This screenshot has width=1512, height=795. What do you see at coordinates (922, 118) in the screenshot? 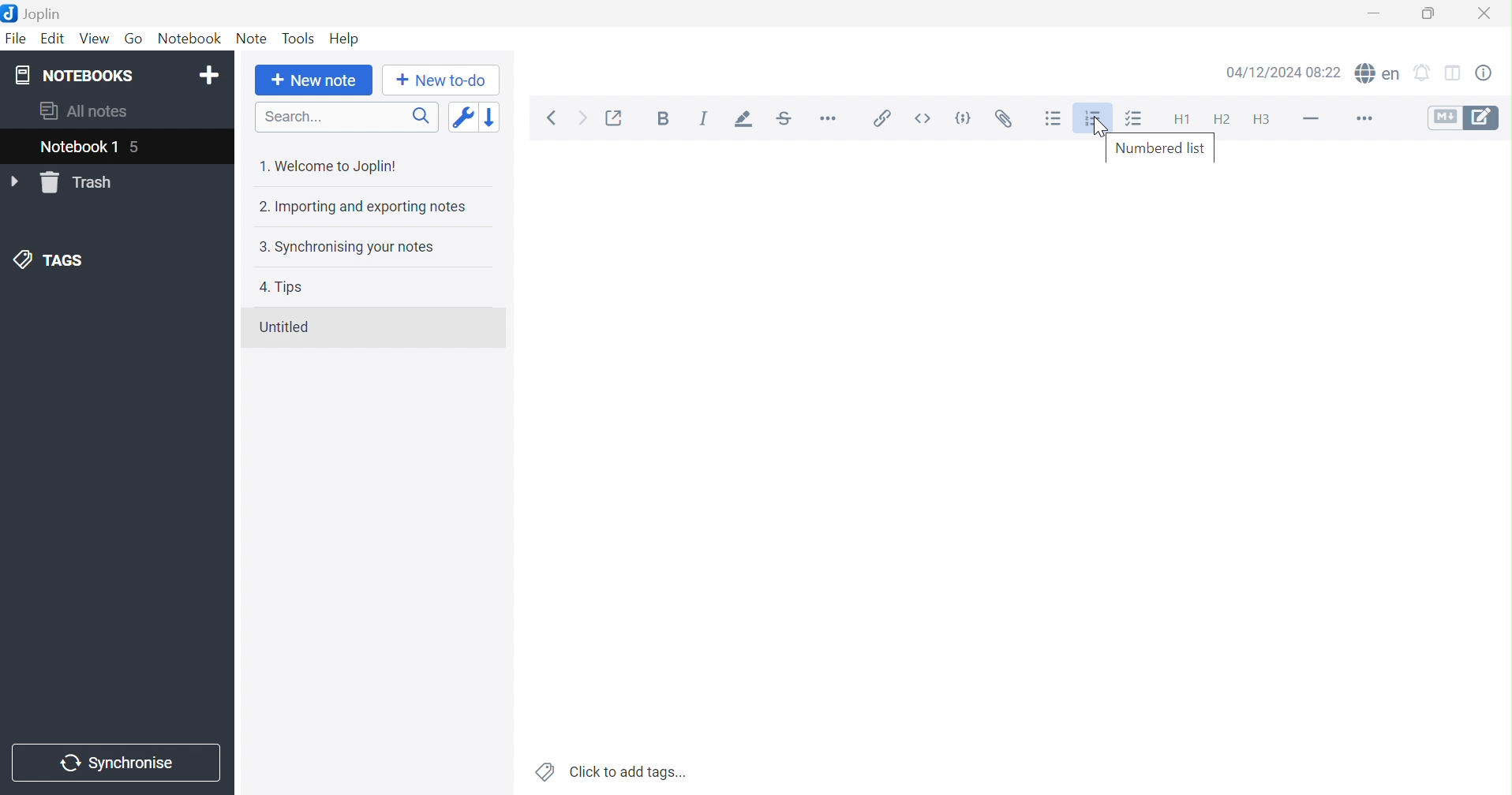
I see `Inline code` at bounding box center [922, 118].